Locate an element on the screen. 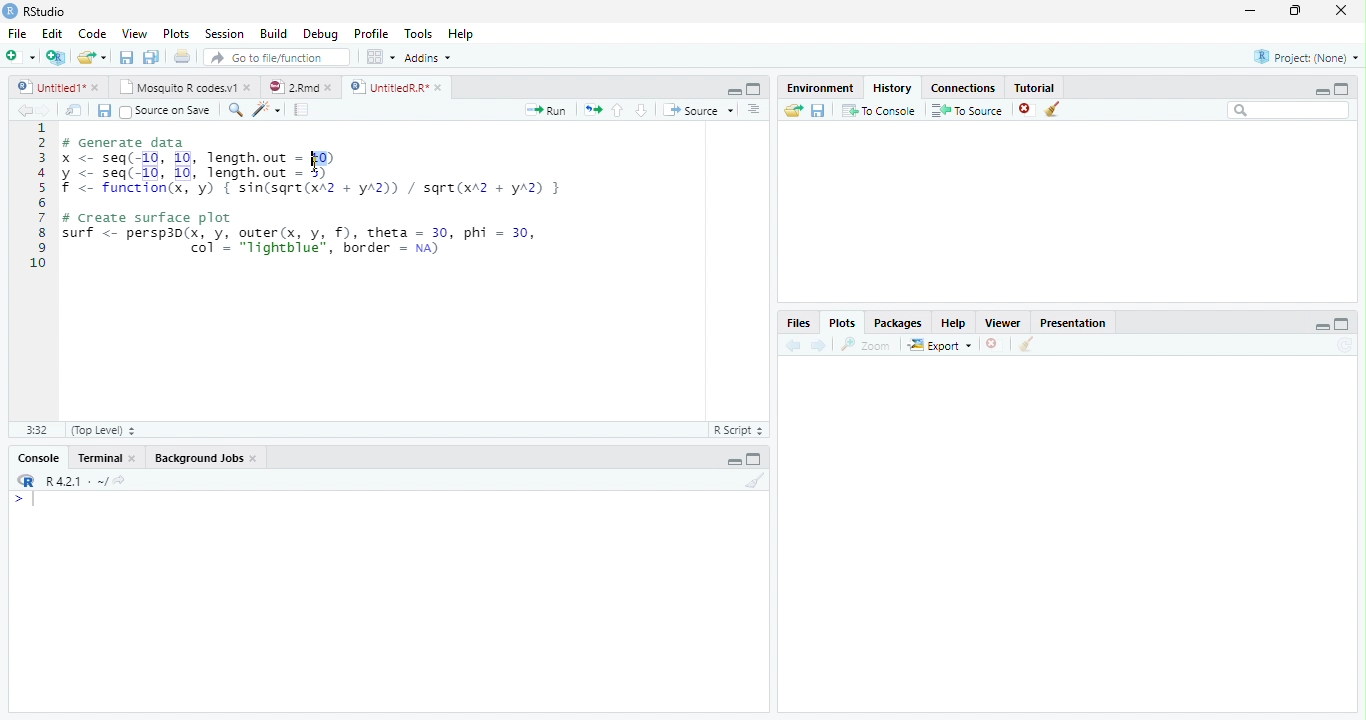  Profile is located at coordinates (372, 33).